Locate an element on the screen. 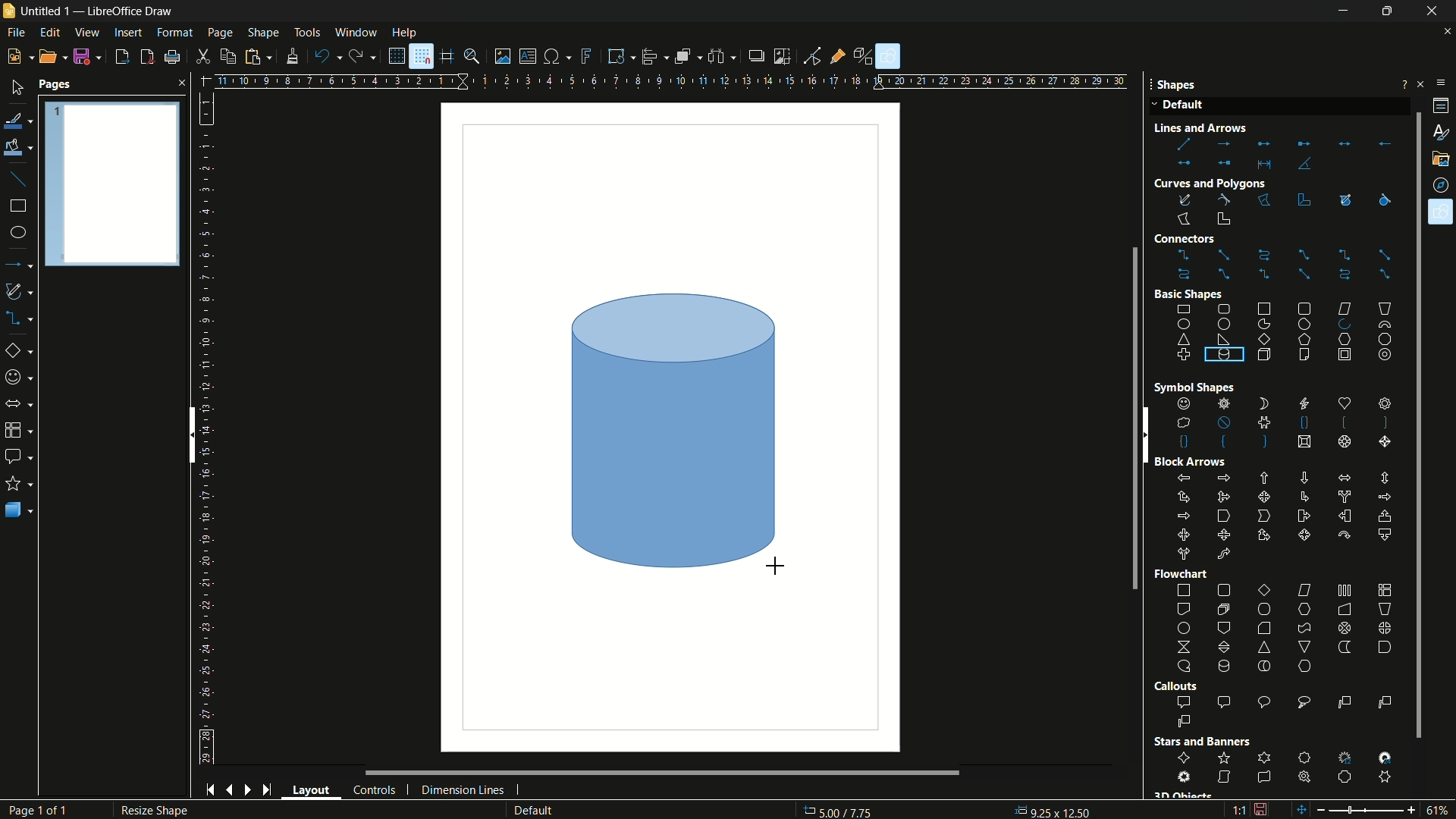 This screenshot has width=1456, height=819. fill color is located at coordinates (17, 148).